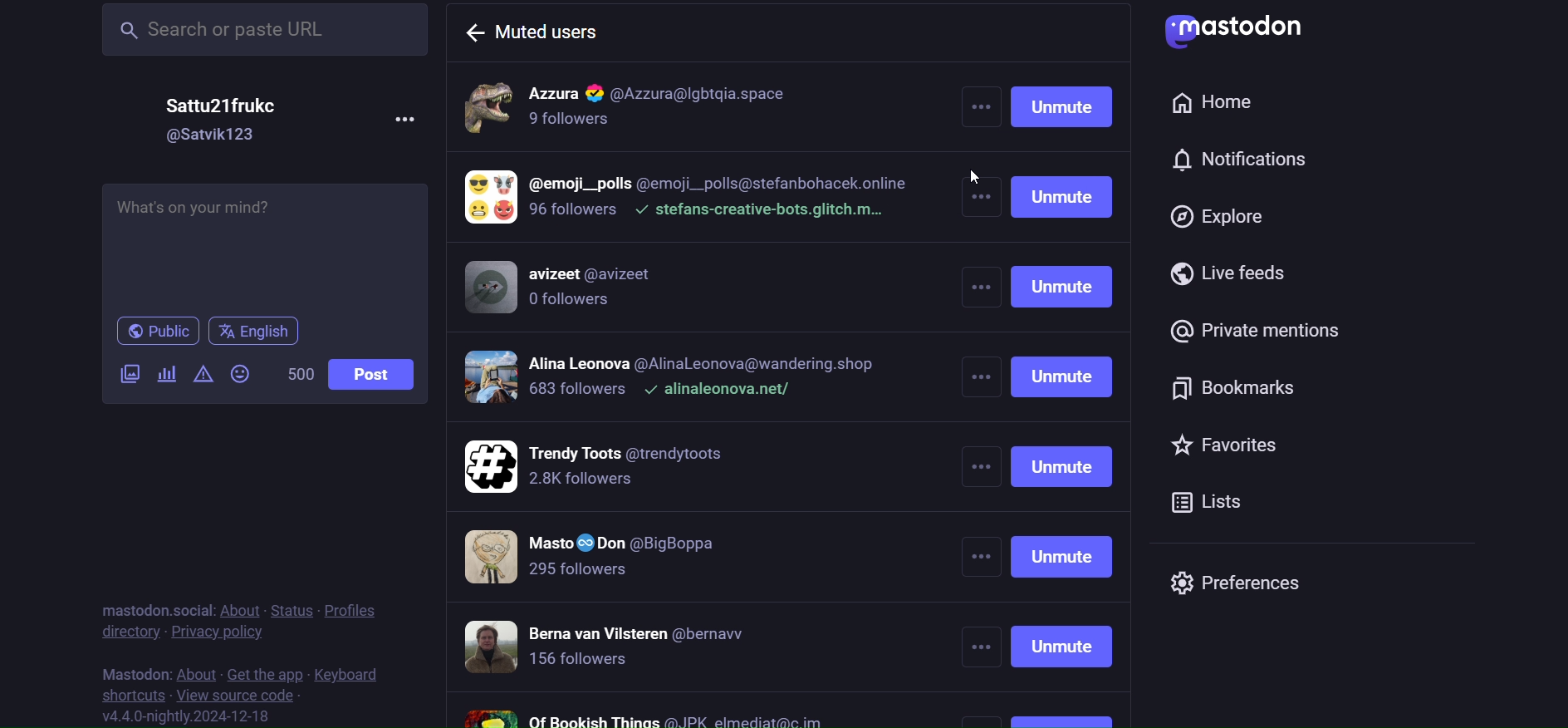 The height and width of the screenshot is (728, 1568). I want to click on muted accounts 3, so click(587, 288).